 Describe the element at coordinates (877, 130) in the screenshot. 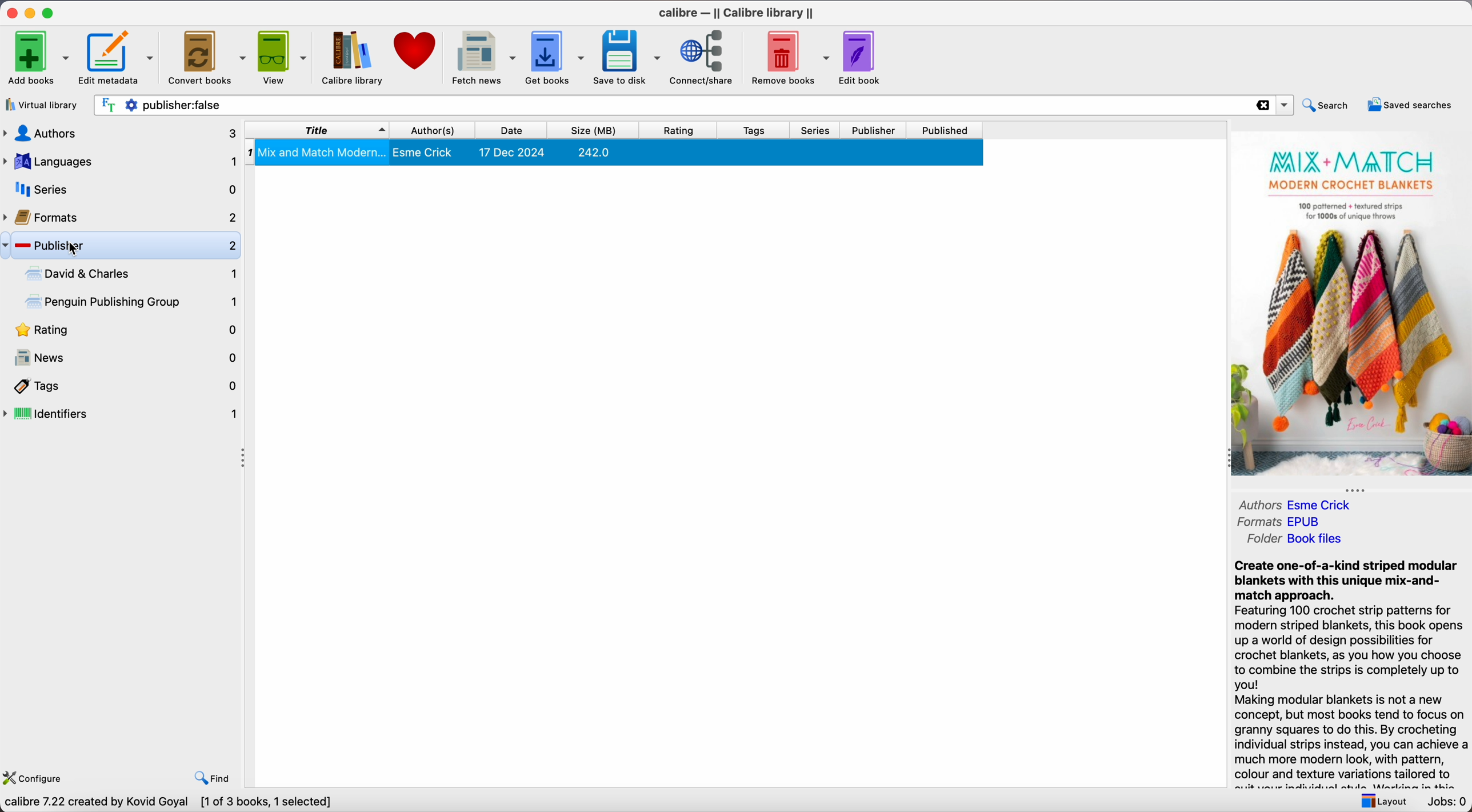

I see `publisher` at that location.